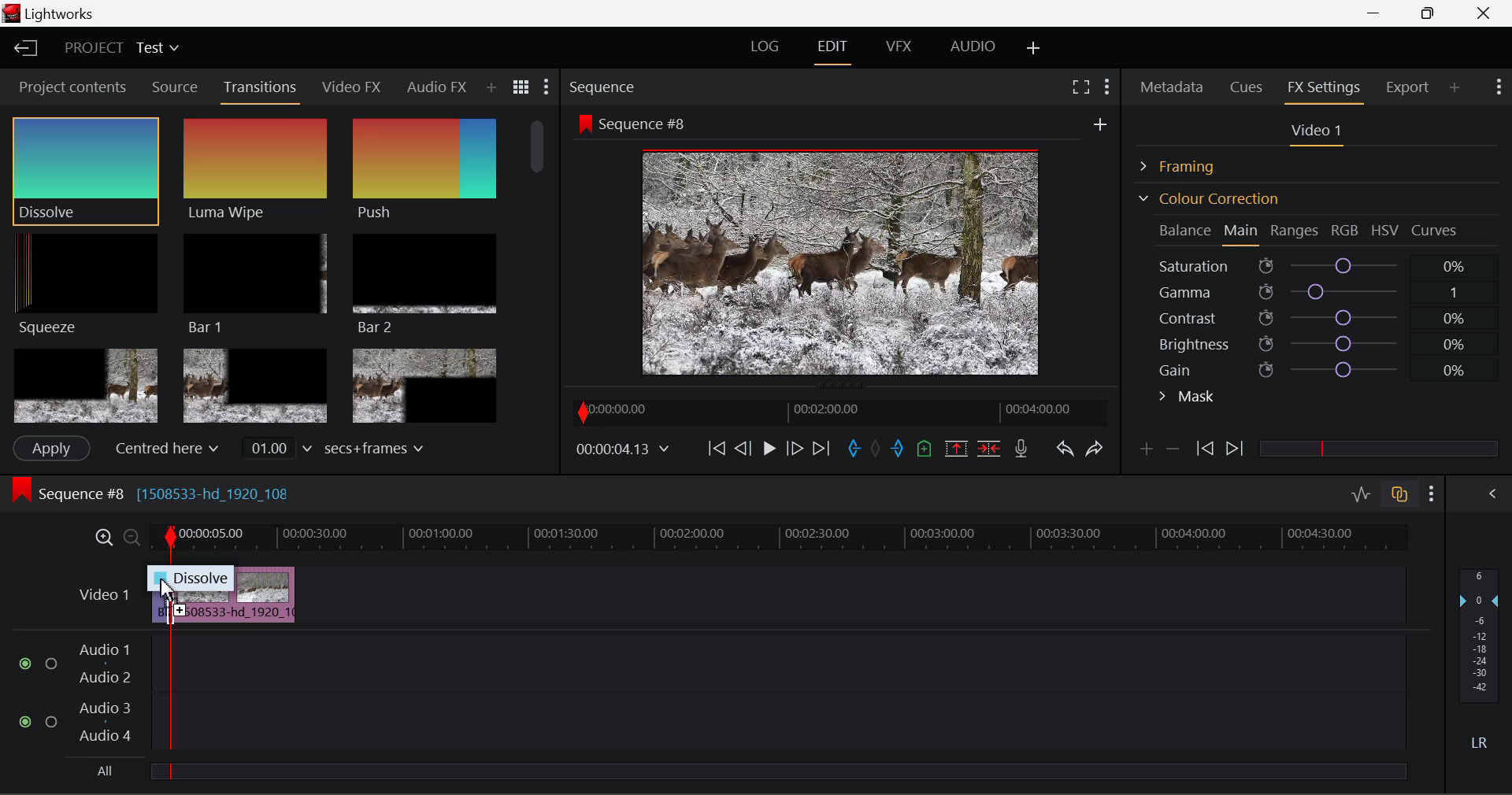  I want to click on Colour Correction, so click(1208, 198).